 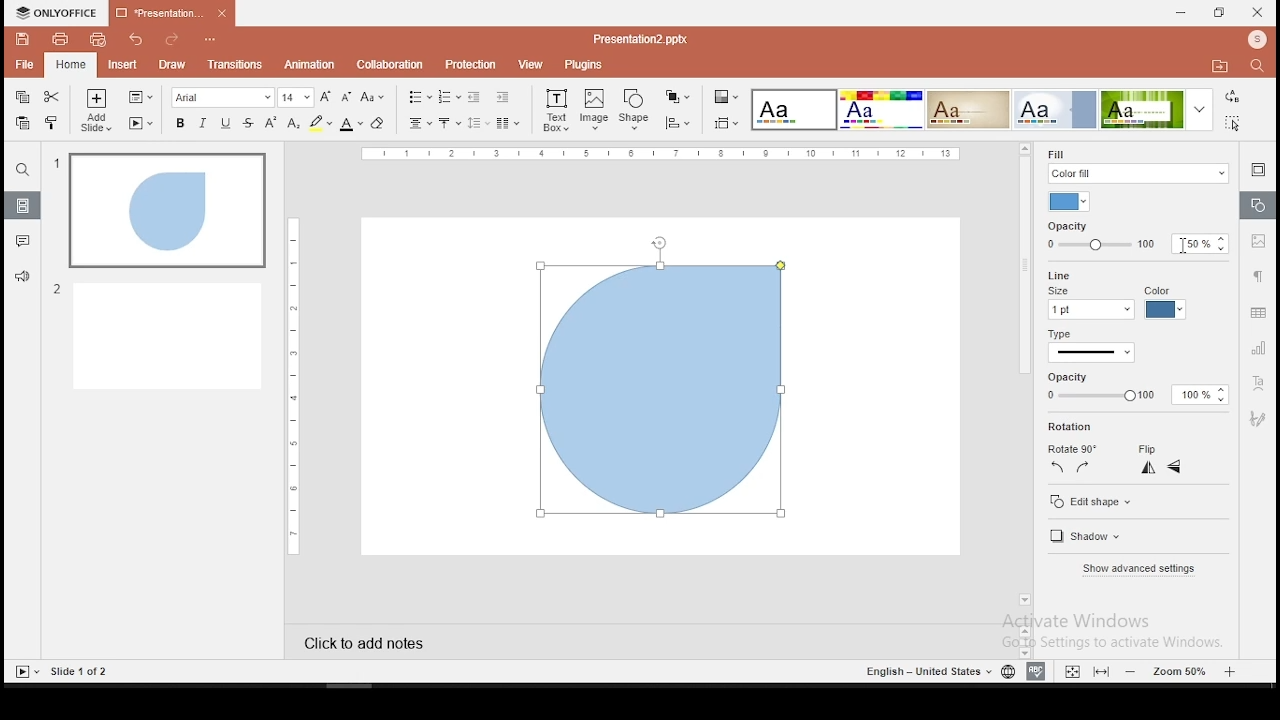 I want to click on right, so click(x=1082, y=467).